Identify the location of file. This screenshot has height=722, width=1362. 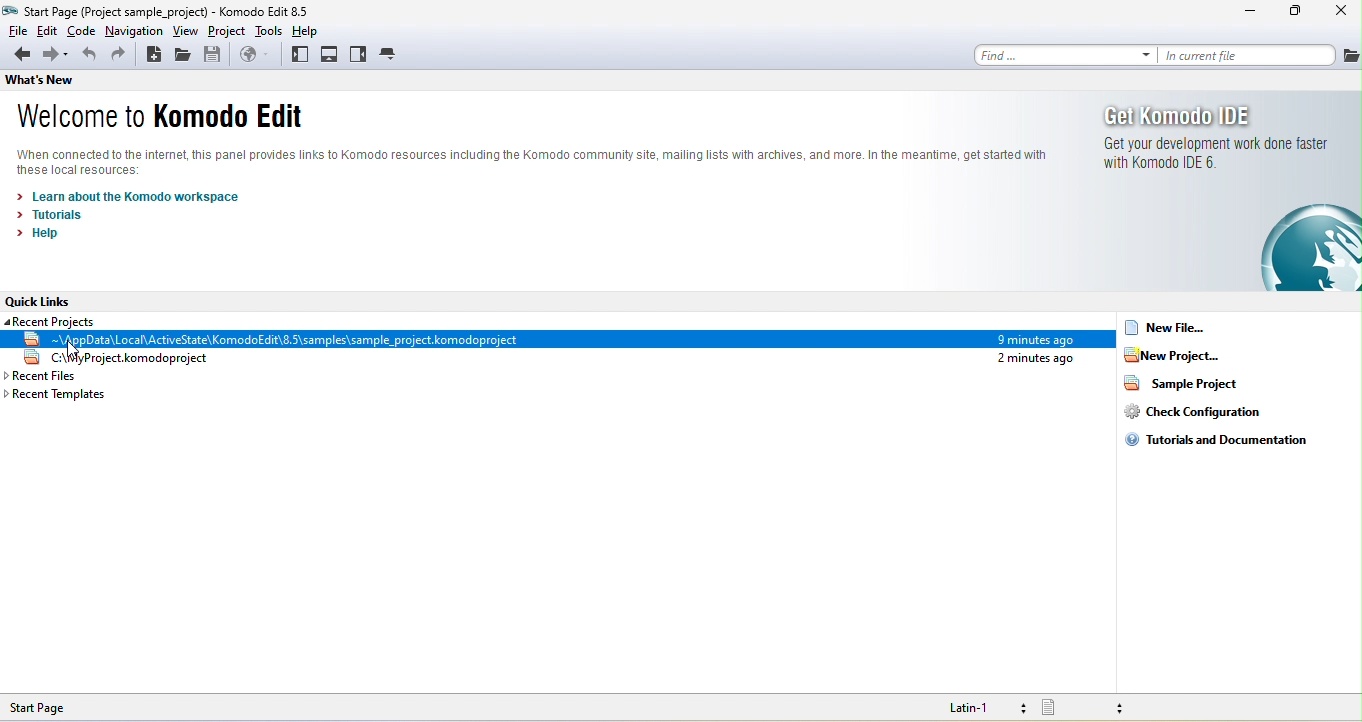
(17, 32).